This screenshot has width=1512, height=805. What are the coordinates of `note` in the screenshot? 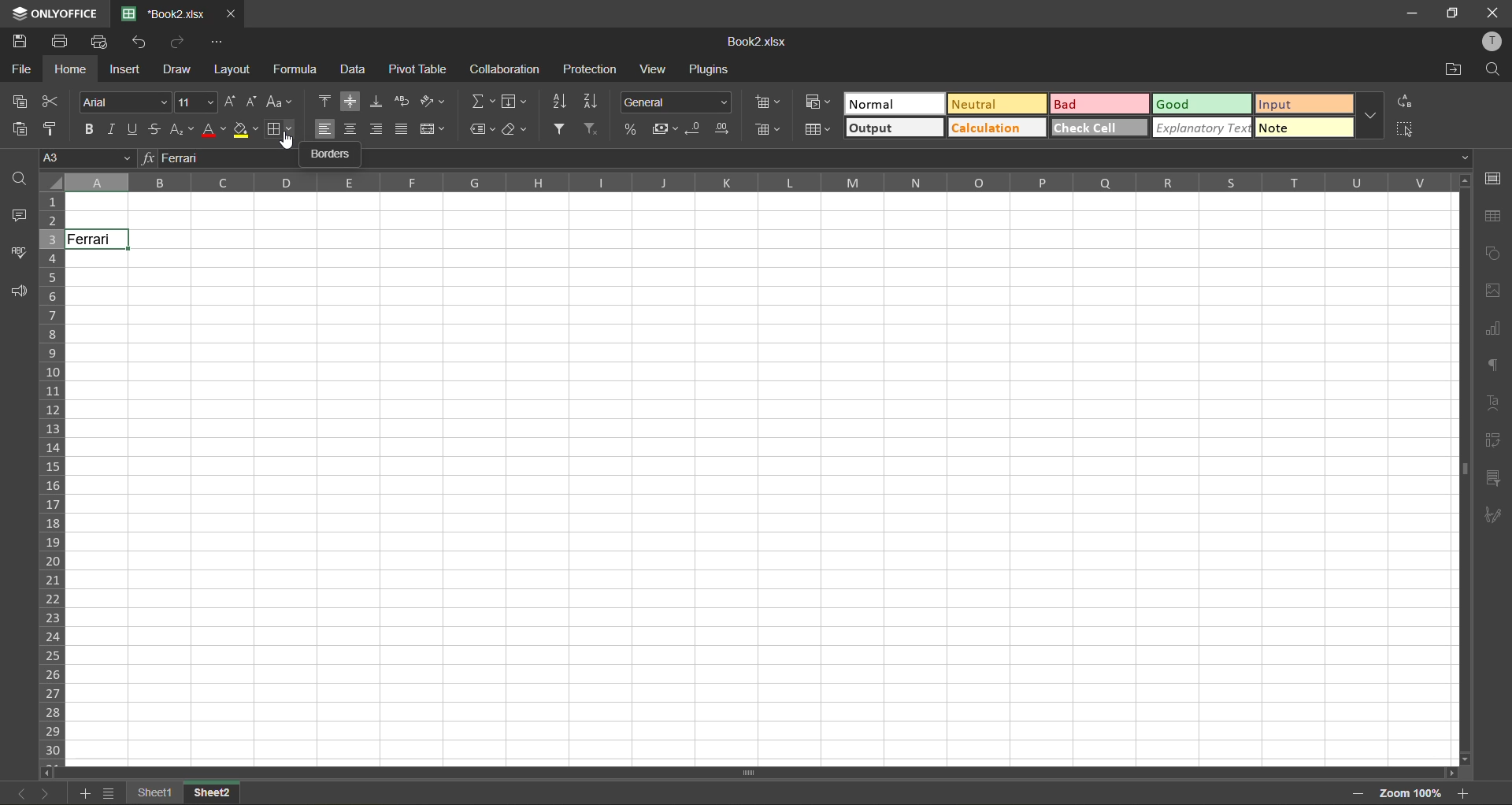 It's located at (1304, 127).